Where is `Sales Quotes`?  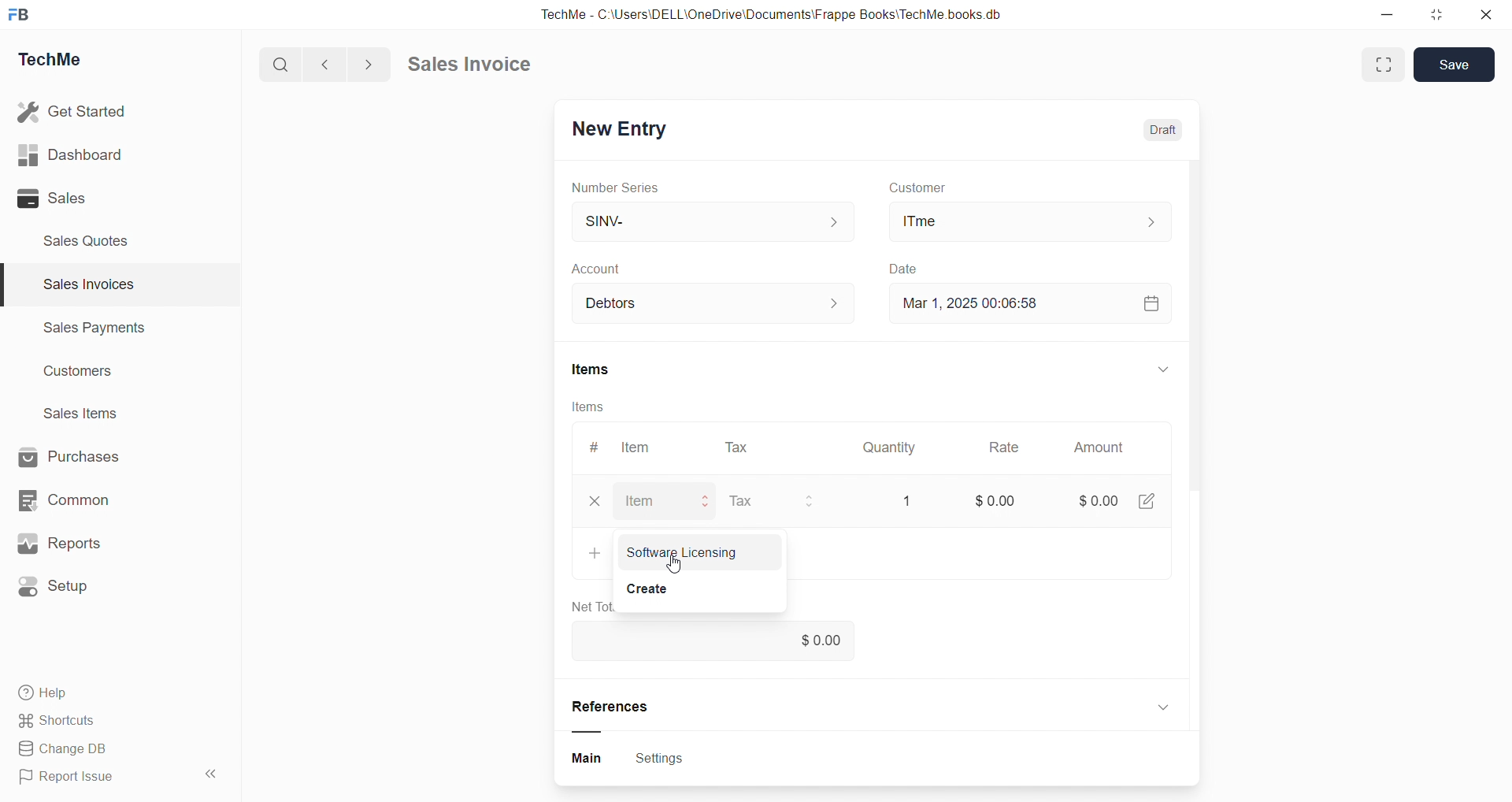
Sales Quotes is located at coordinates (92, 240).